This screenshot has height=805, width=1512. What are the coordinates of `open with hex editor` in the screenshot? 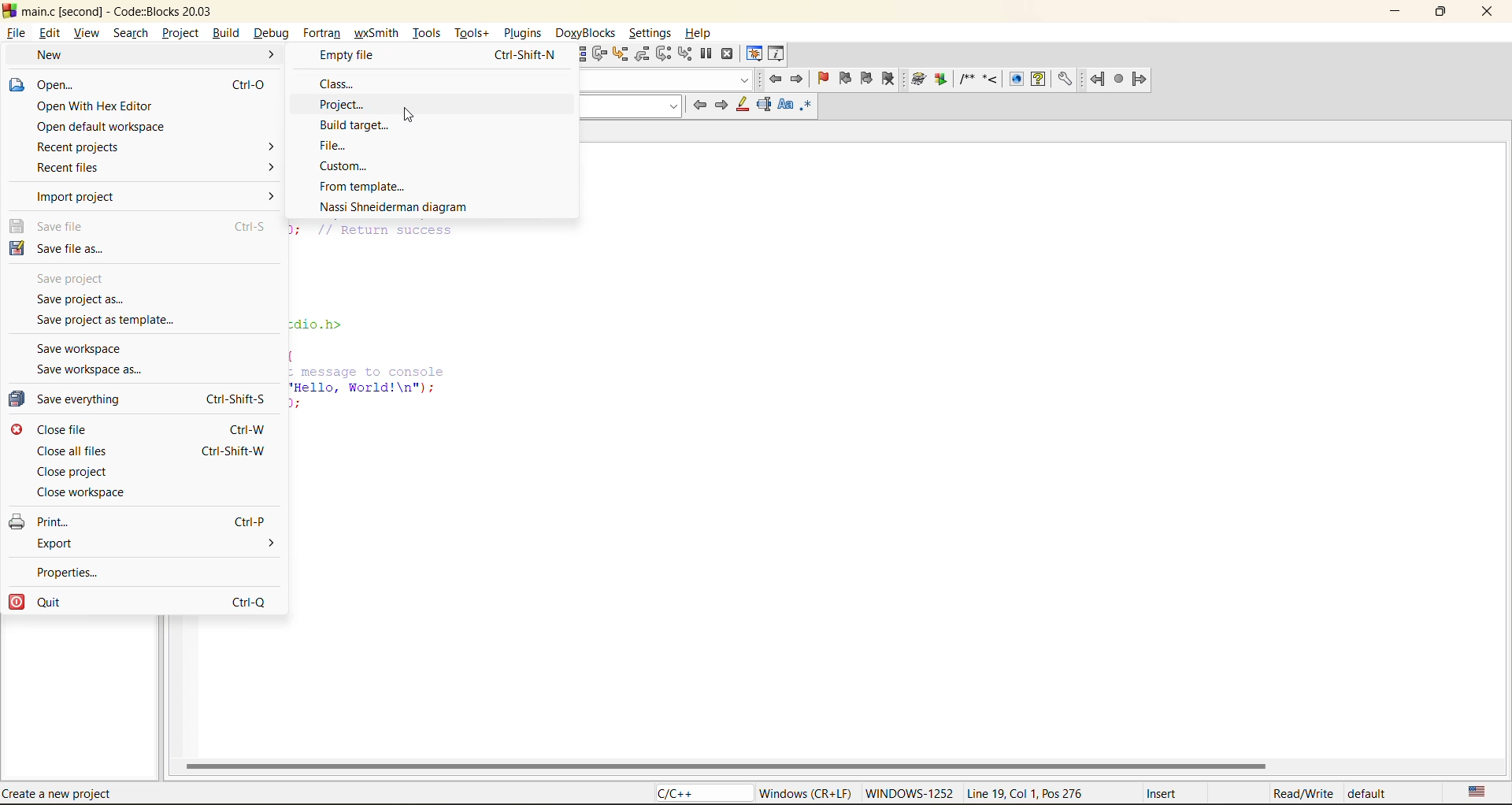 It's located at (94, 108).